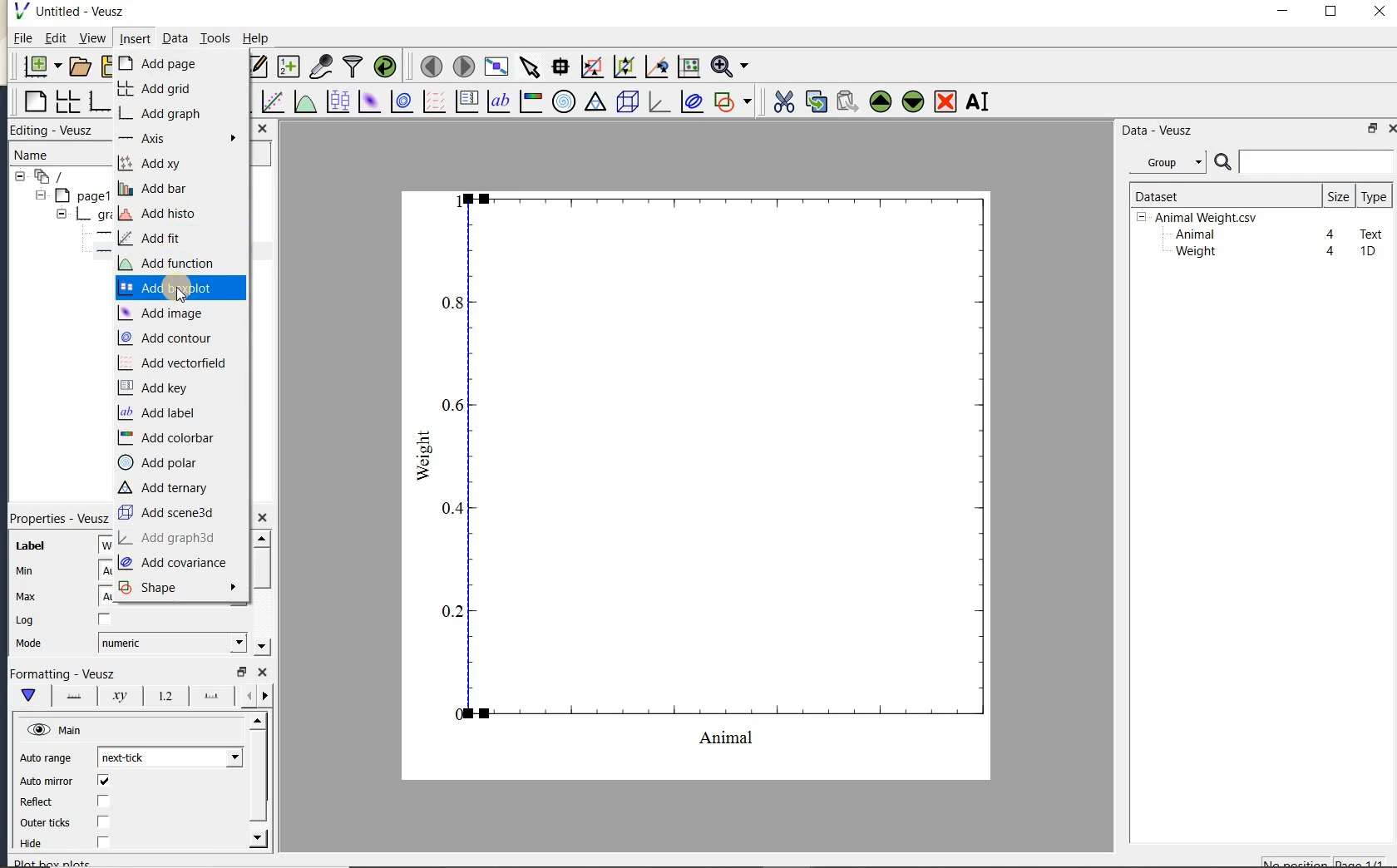 Image resolution: width=1397 pixels, height=868 pixels. I want to click on click to recenter graph axes, so click(657, 67).